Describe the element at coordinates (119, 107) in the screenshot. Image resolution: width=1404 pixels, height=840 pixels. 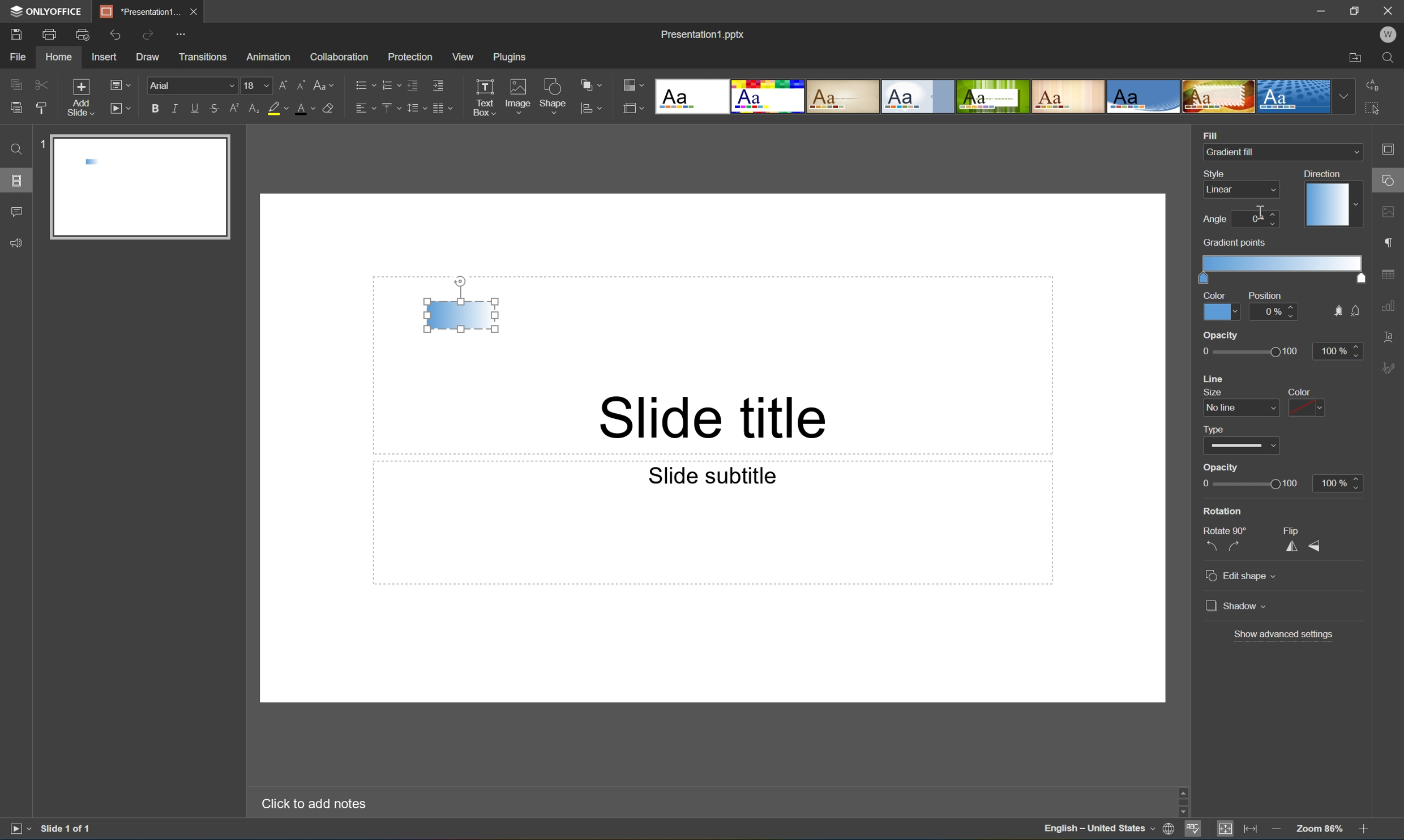
I see `Start slideshow` at that location.